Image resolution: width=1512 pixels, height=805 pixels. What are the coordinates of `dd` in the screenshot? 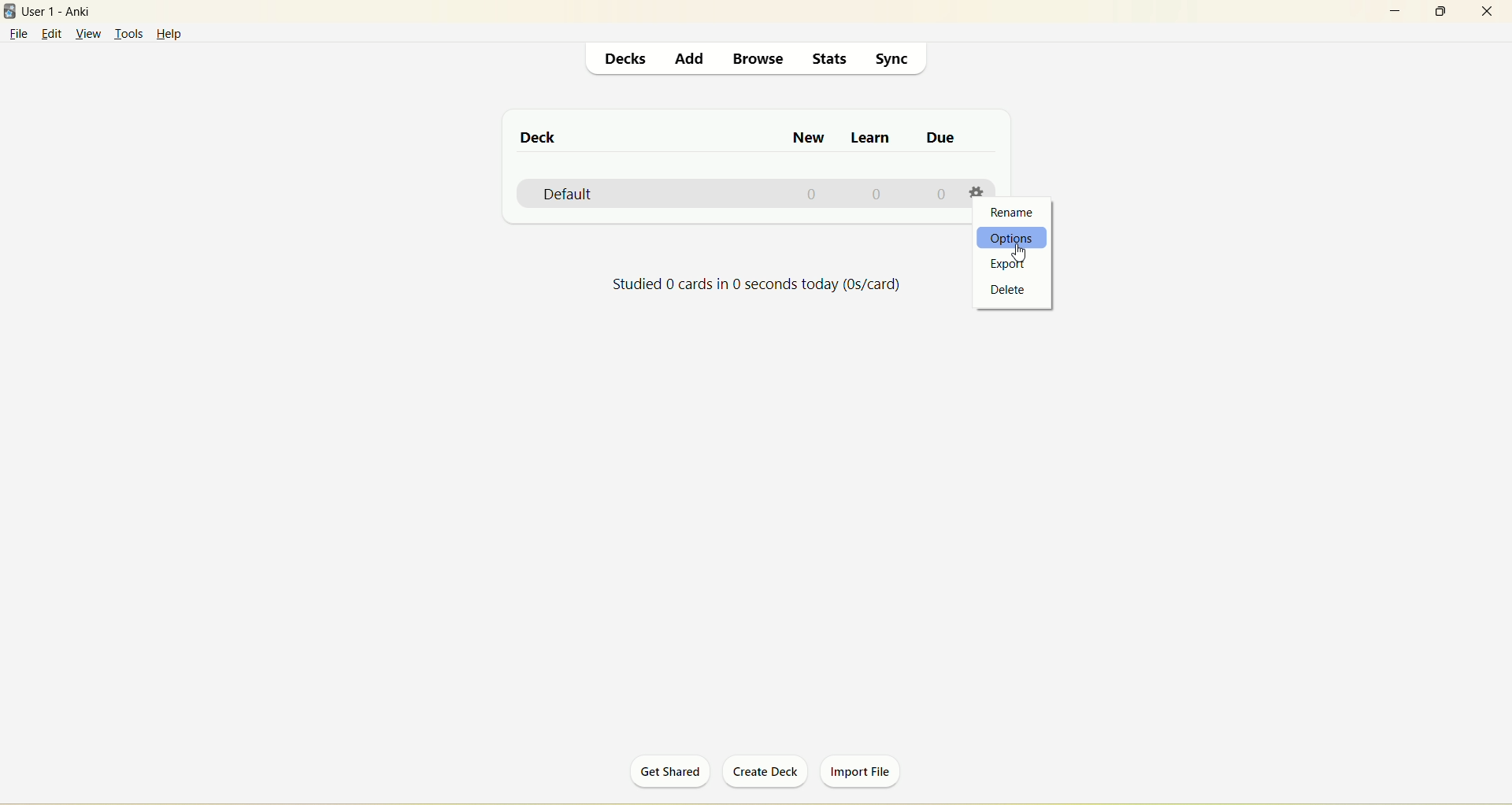 It's located at (691, 61).